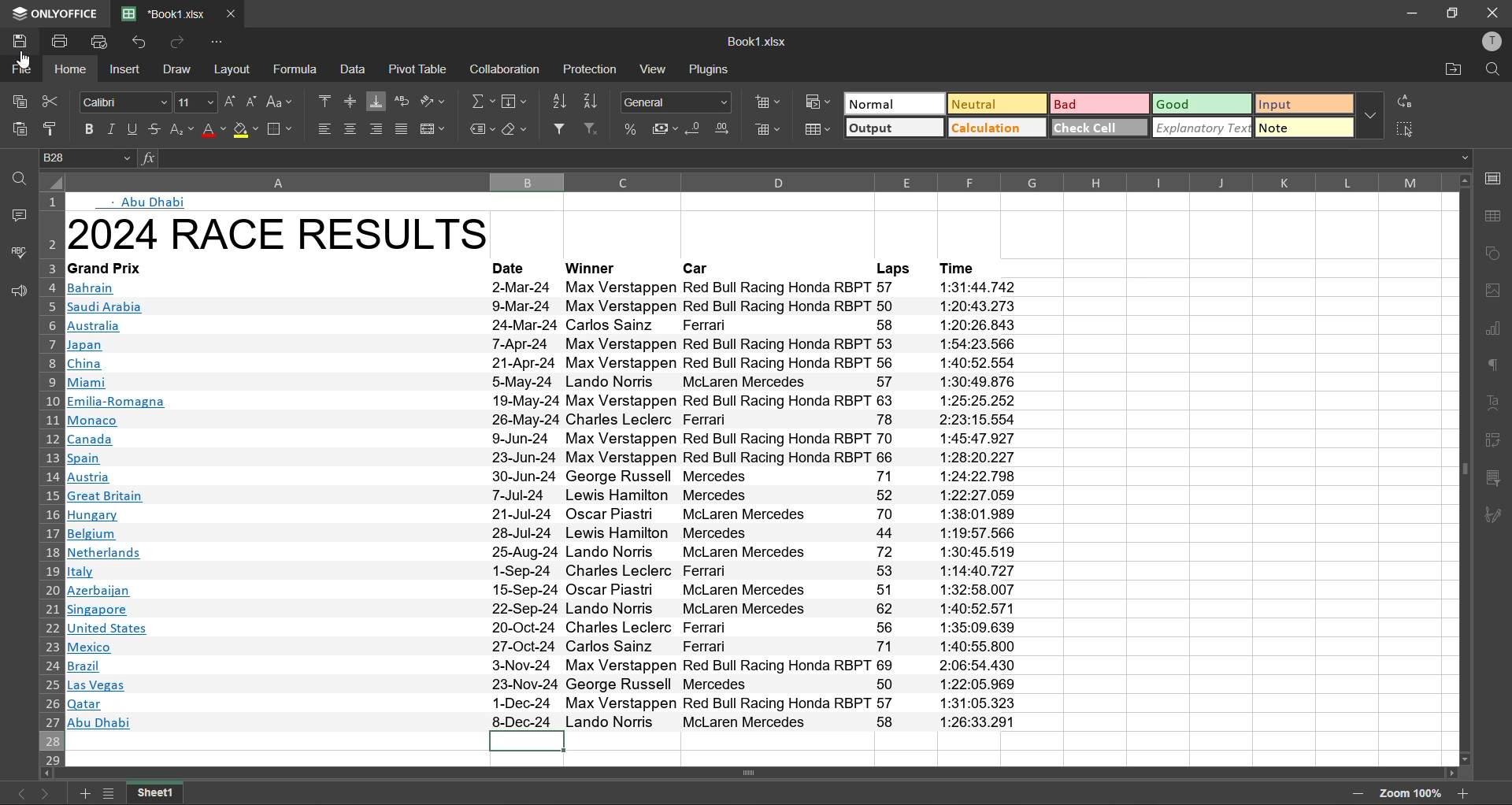 The width and height of the screenshot is (1512, 805). I want to click on shapes, so click(1496, 255).